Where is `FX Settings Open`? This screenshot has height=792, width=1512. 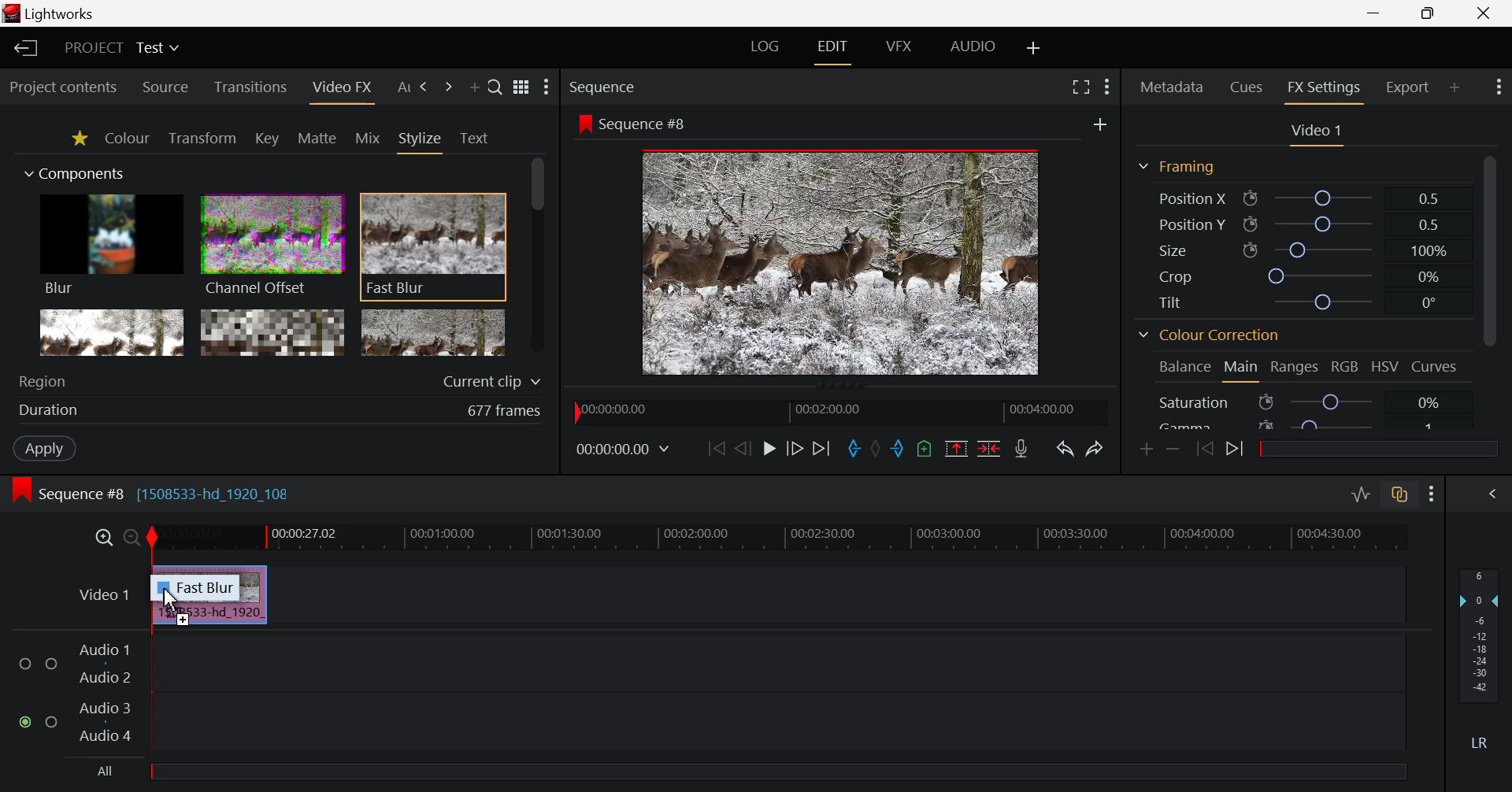 FX Settings Open is located at coordinates (1324, 91).